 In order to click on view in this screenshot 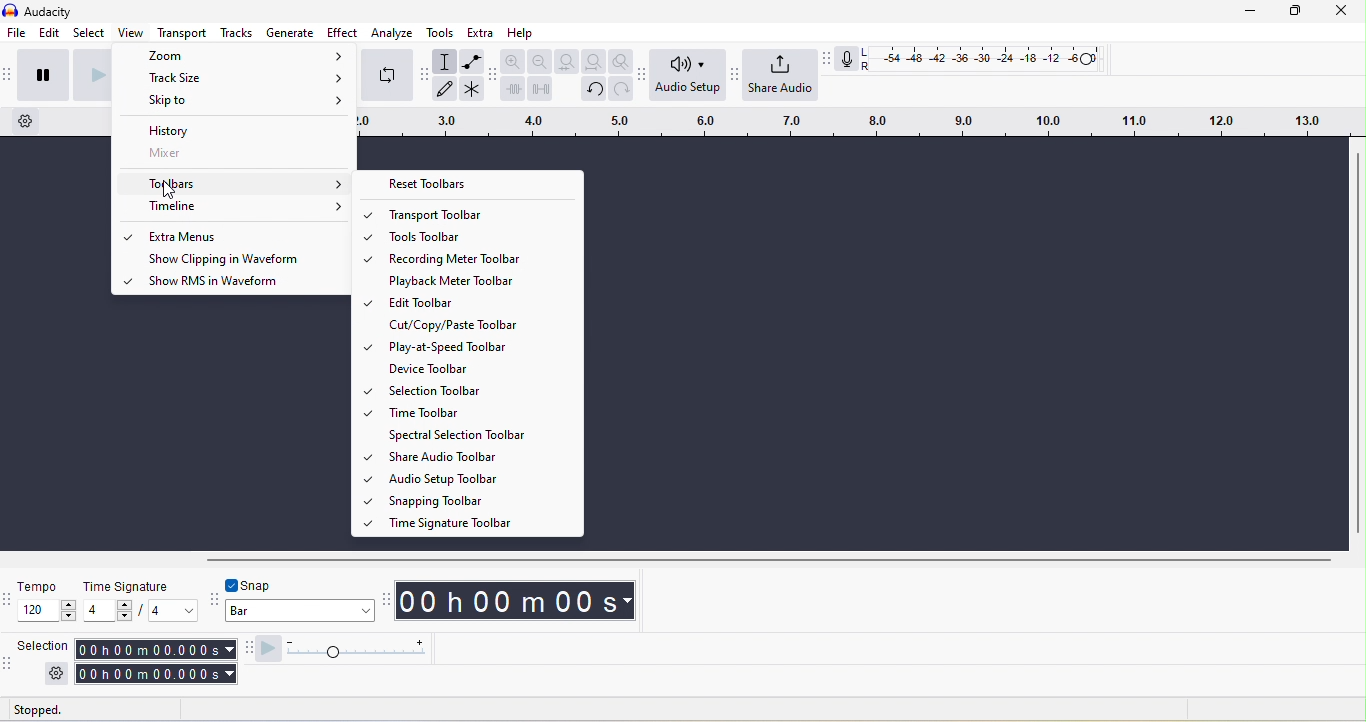, I will do `click(131, 32)`.